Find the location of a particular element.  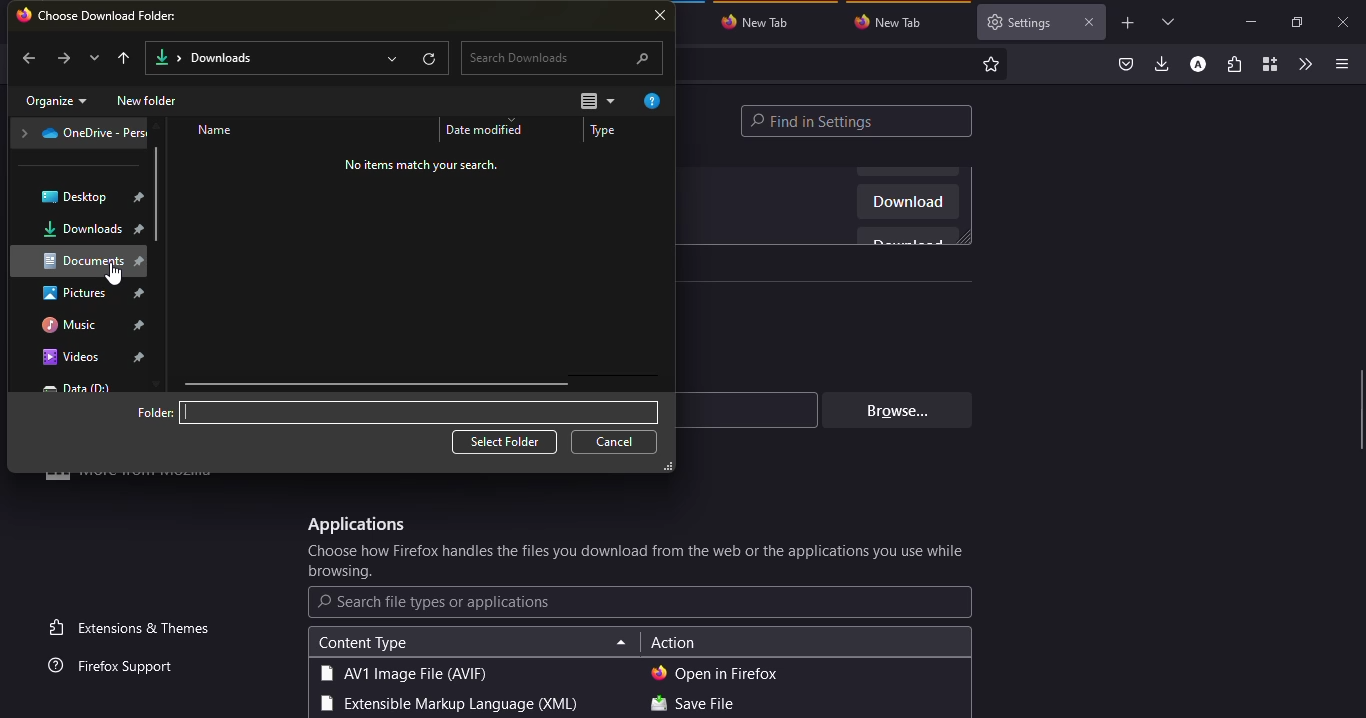

date modified is located at coordinates (489, 130).